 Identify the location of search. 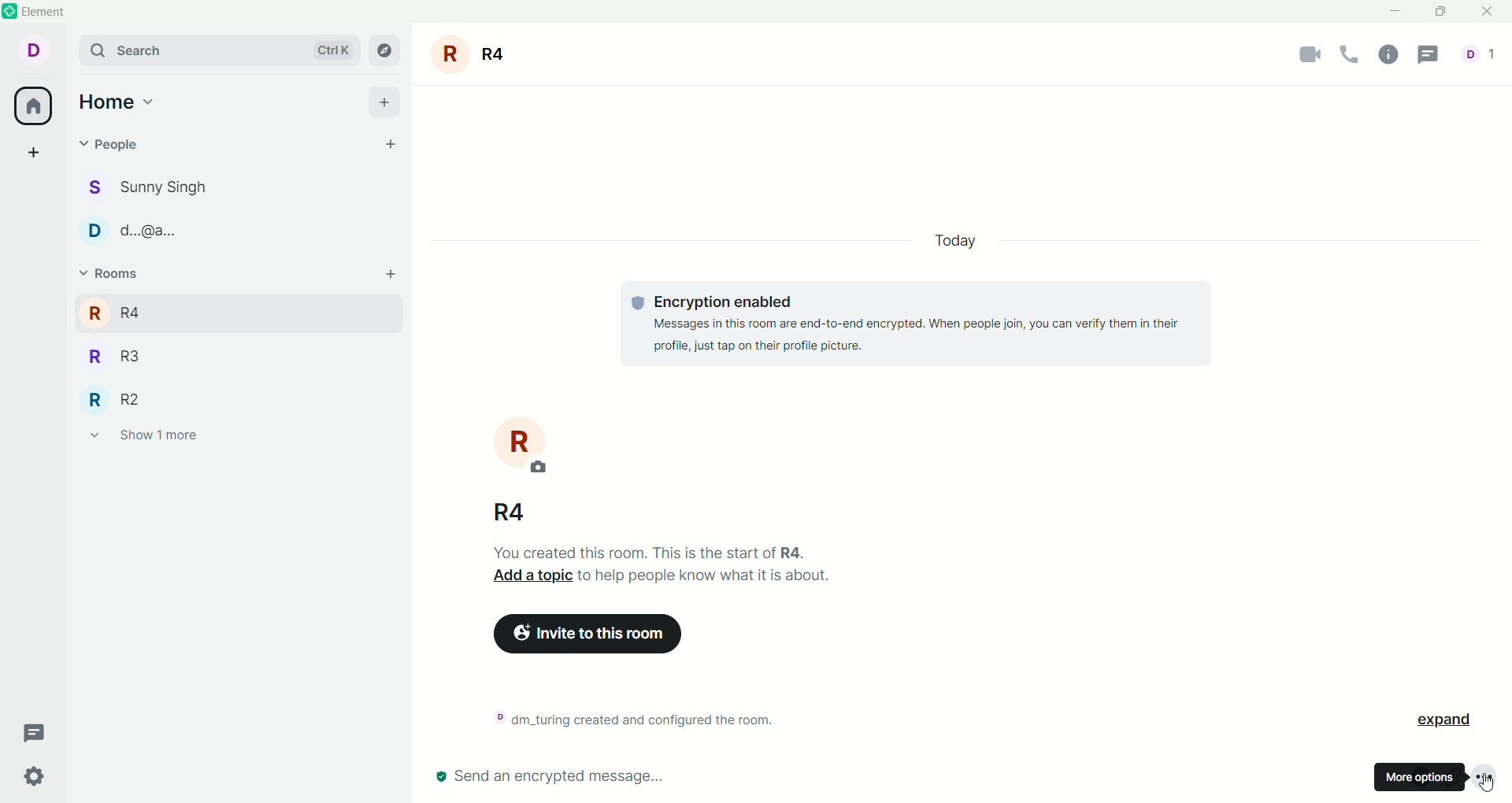
(219, 50).